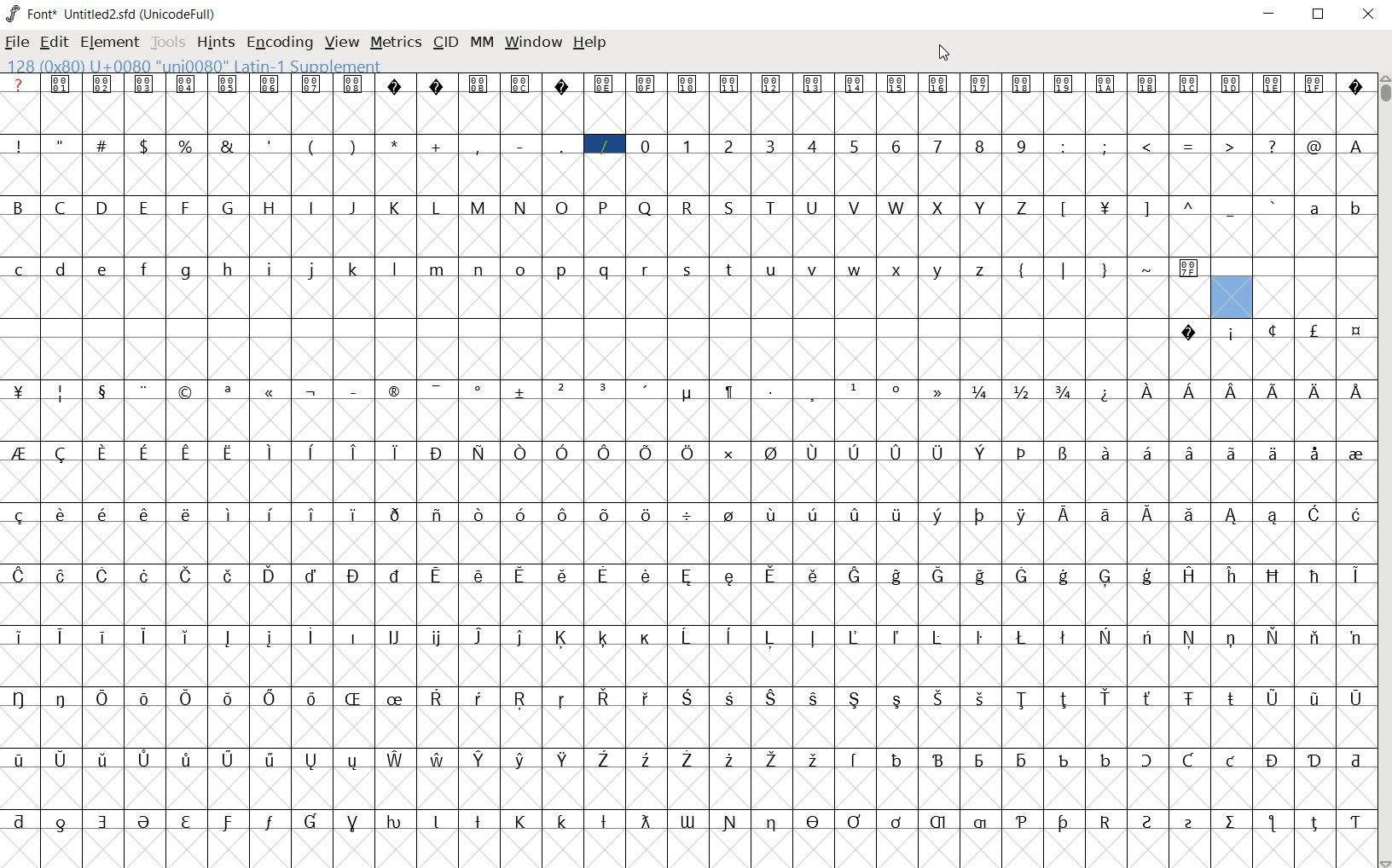  Describe the element at coordinates (100, 11) in the screenshot. I see `font name` at that location.